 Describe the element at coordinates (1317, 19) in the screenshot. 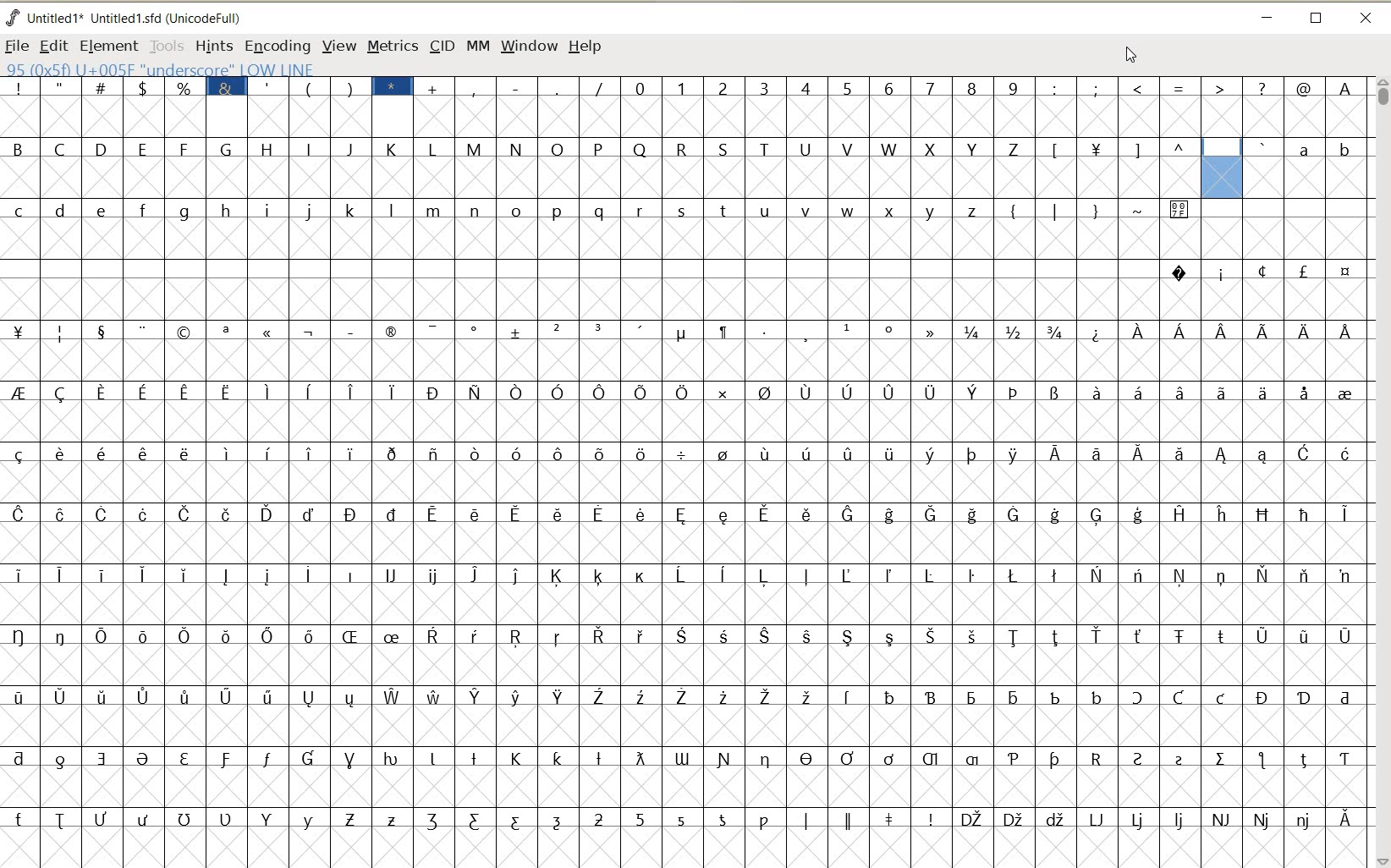

I see `RESTORE` at that location.